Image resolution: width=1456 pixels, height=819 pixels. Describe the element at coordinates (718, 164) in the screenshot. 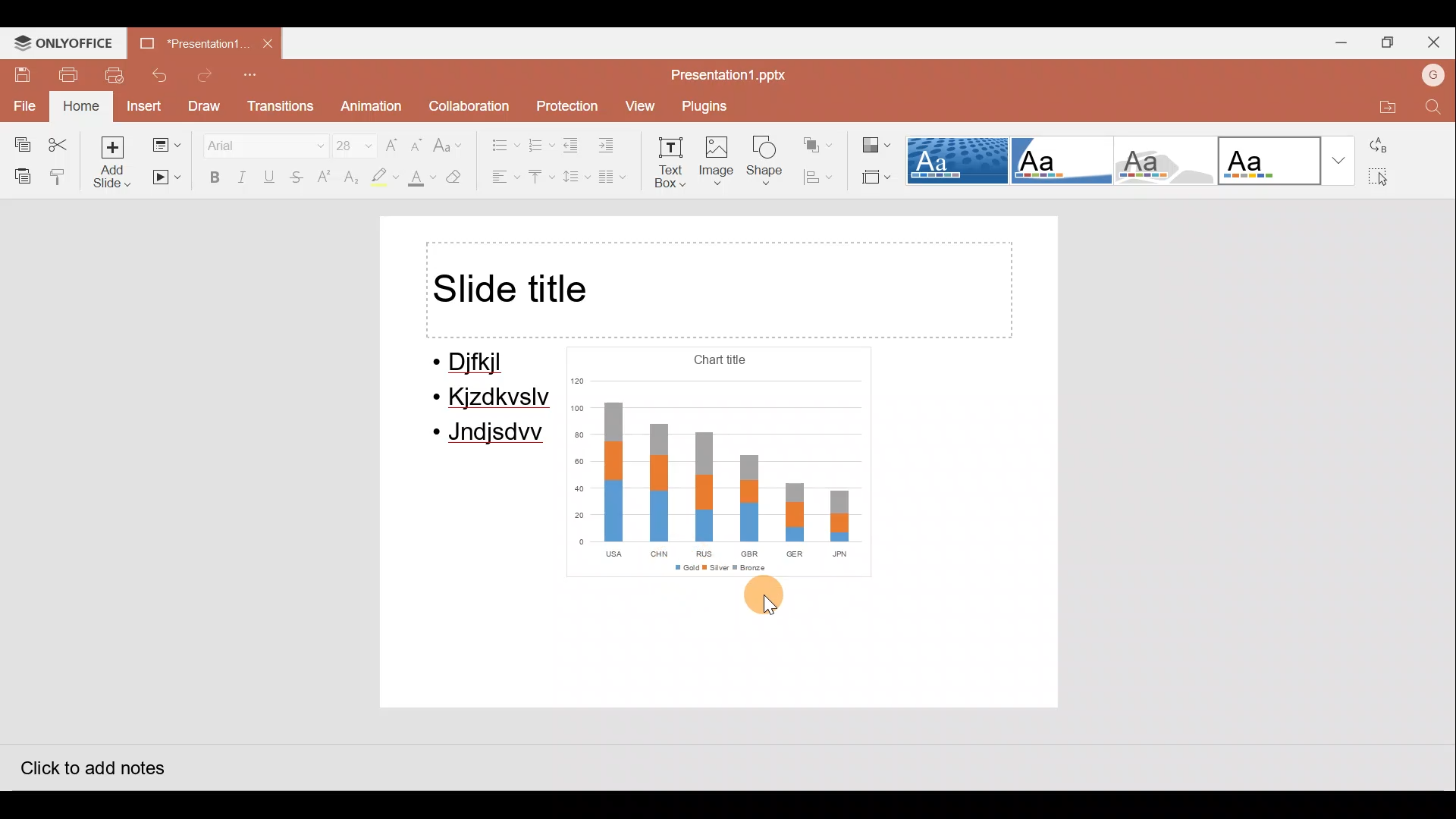

I see `Image` at that location.